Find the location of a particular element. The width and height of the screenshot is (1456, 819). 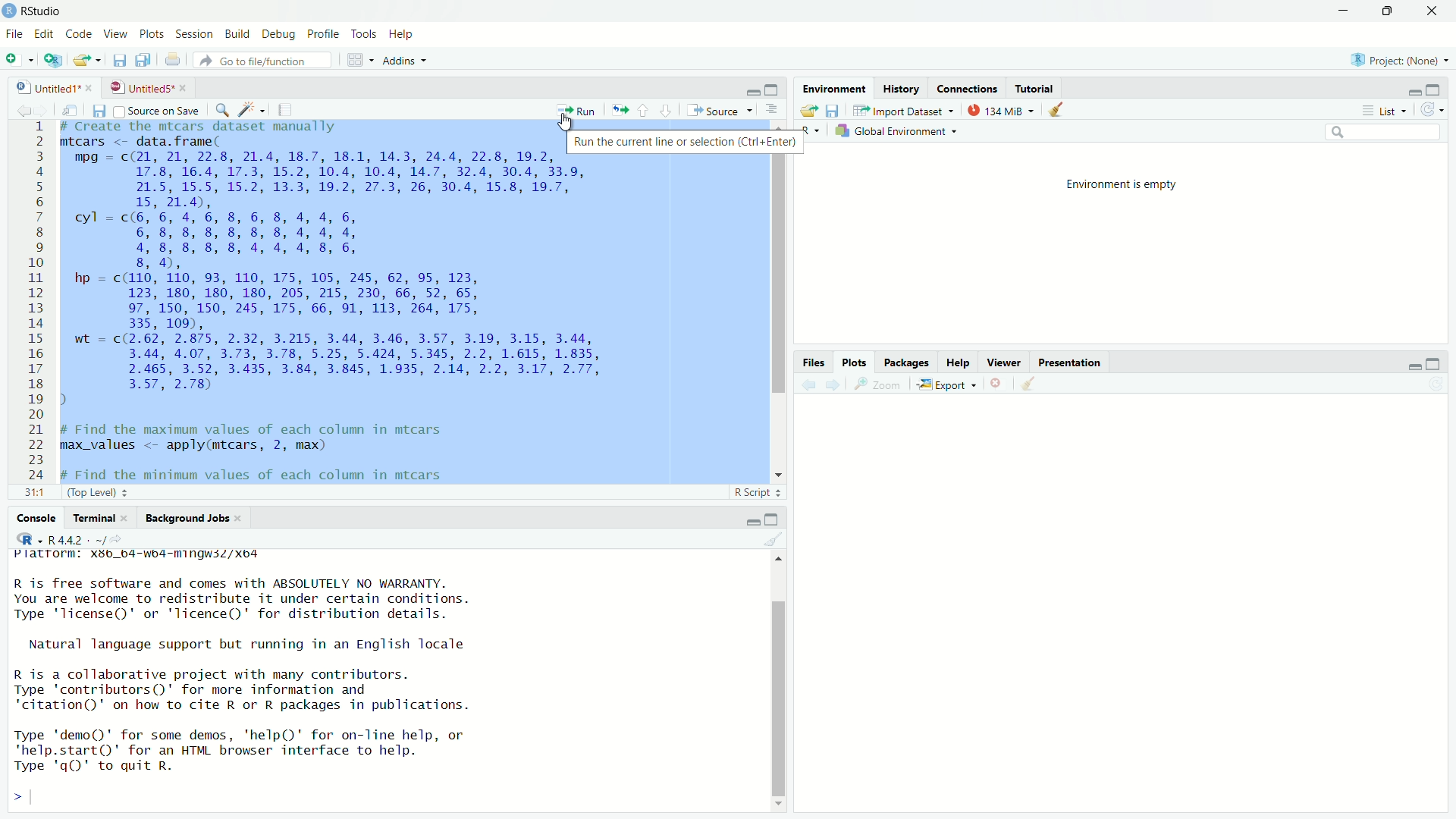

downaward is located at coordinates (669, 110).